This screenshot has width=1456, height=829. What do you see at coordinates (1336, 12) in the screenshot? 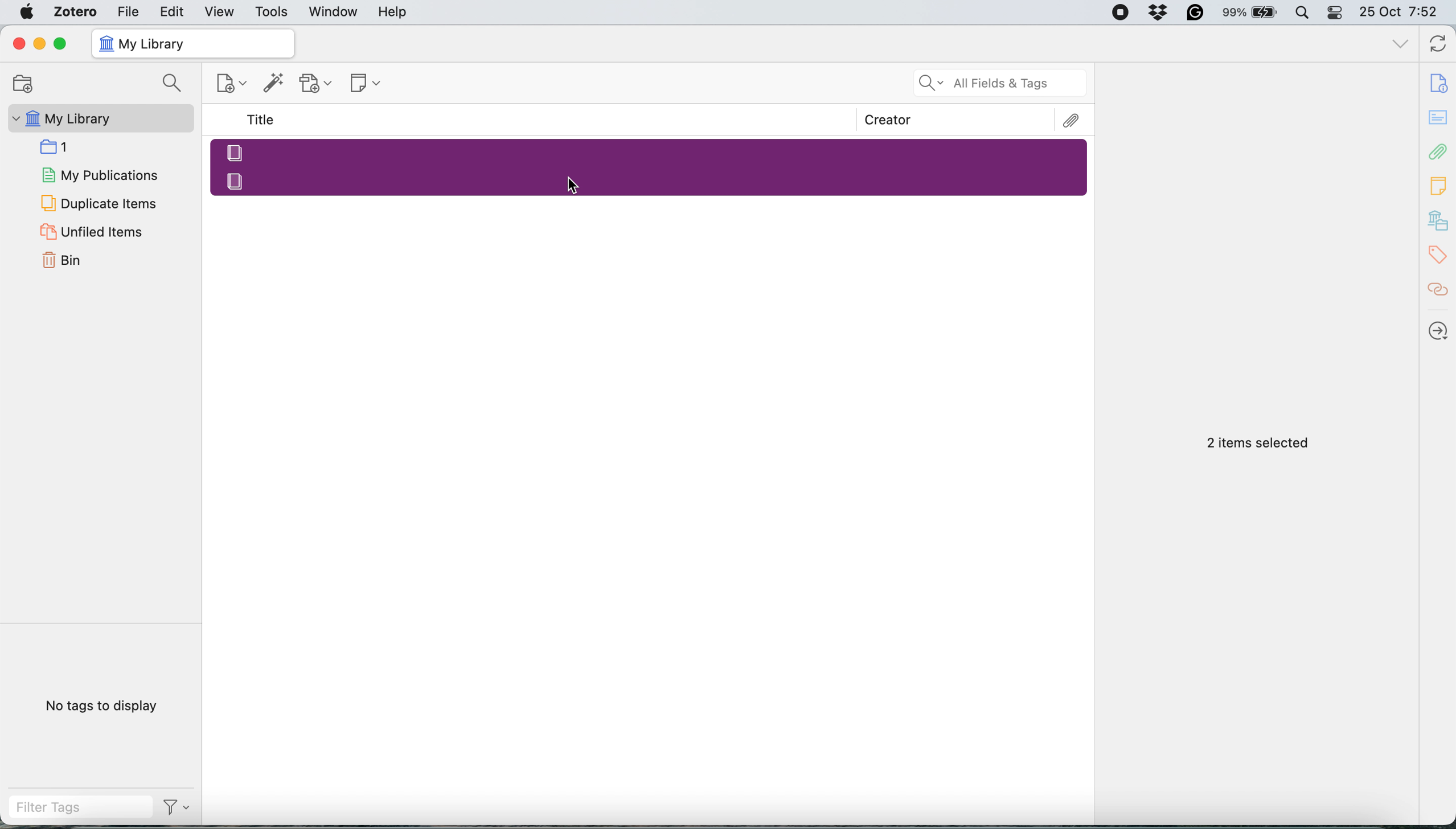
I see `Control Centre` at bounding box center [1336, 12].